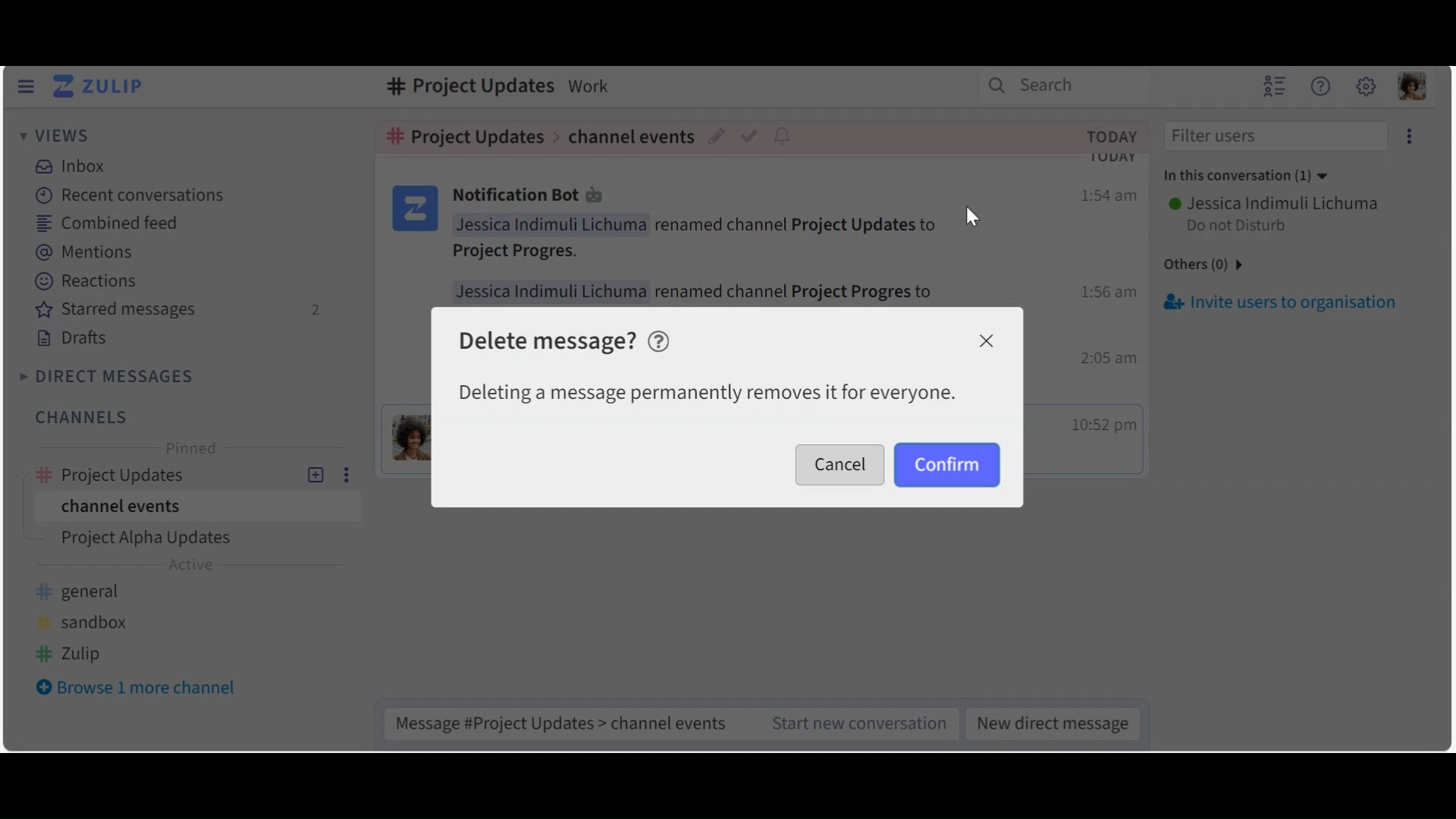  What do you see at coordinates (532, 196) in the screenshot?
I see `Notification bot` at bounding box center [532, 196].